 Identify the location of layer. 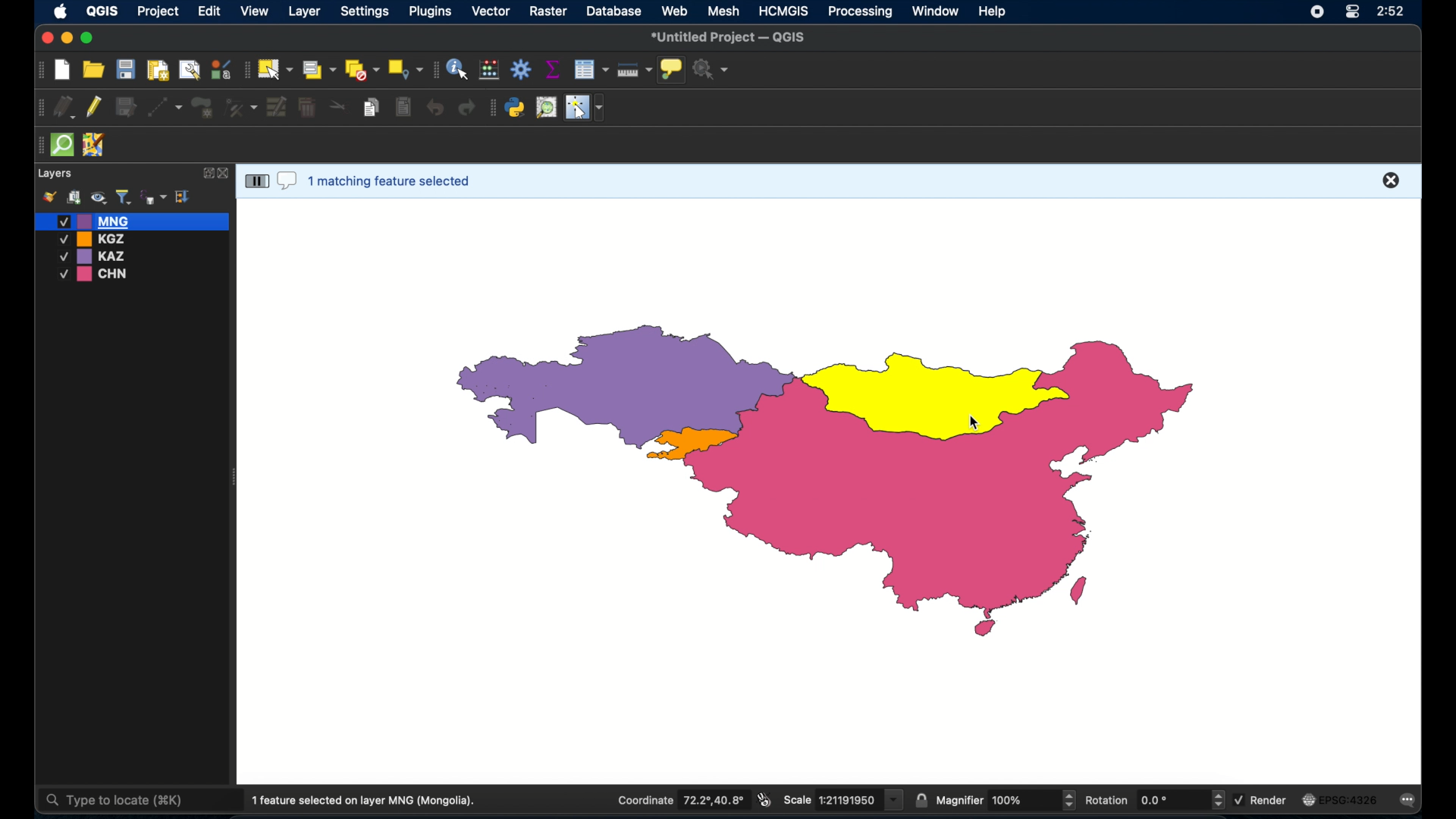
(303, 11).